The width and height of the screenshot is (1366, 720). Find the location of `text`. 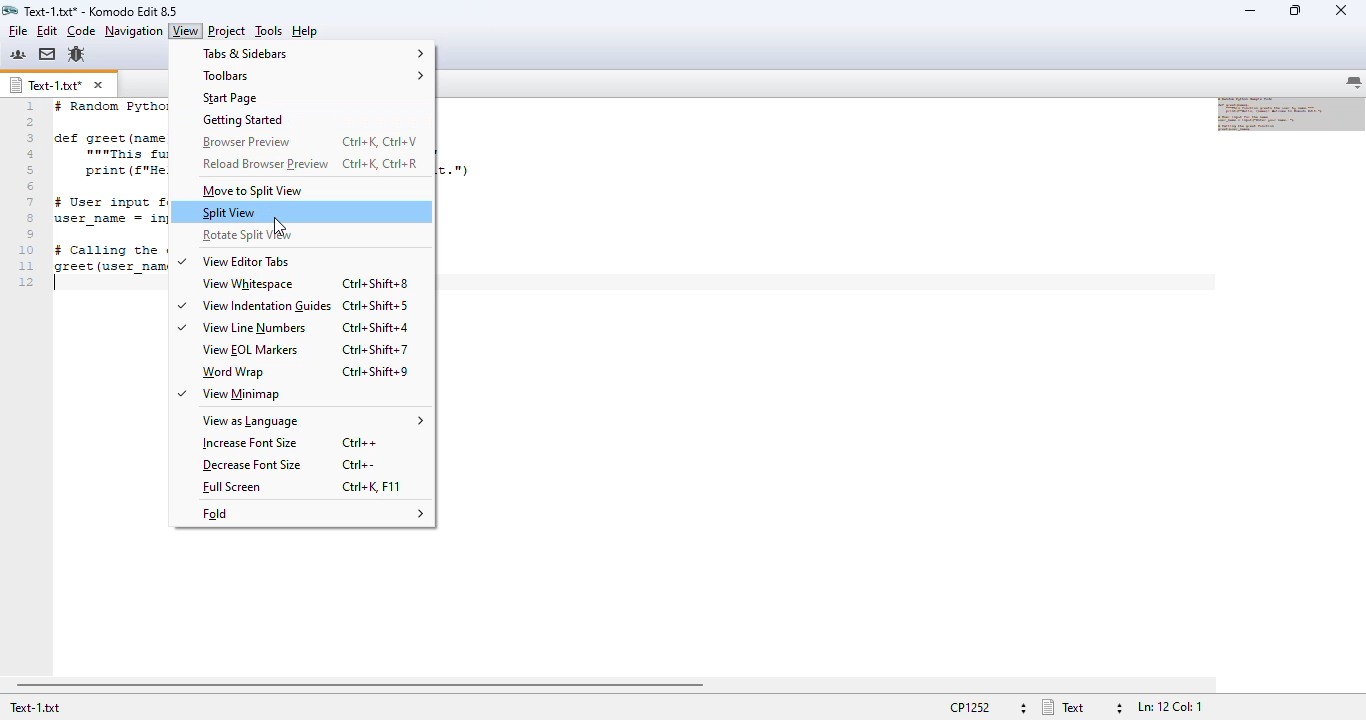

text is located at coordinates (108, 193).